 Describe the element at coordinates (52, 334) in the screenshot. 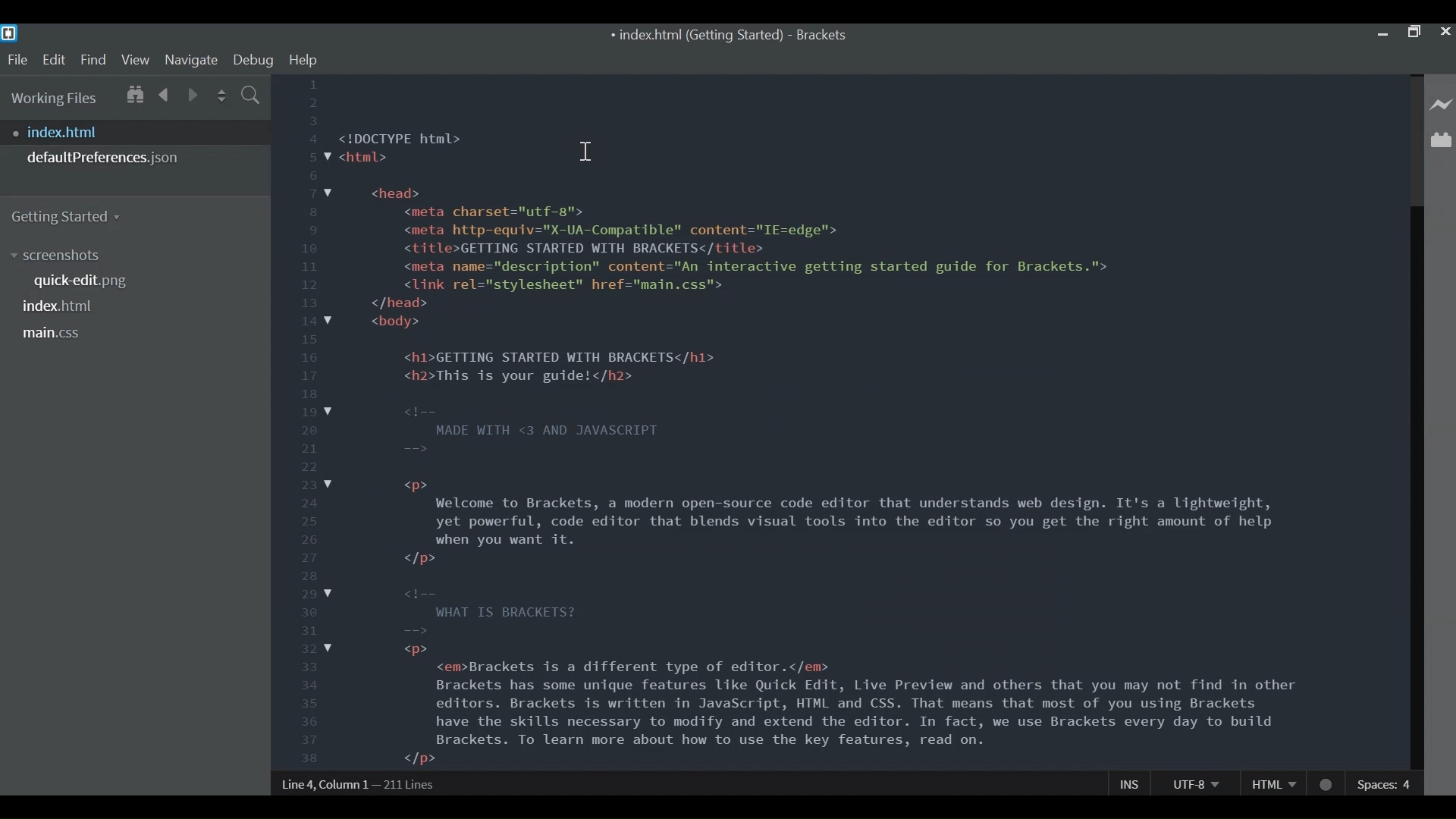

I see `main.css` at that location.